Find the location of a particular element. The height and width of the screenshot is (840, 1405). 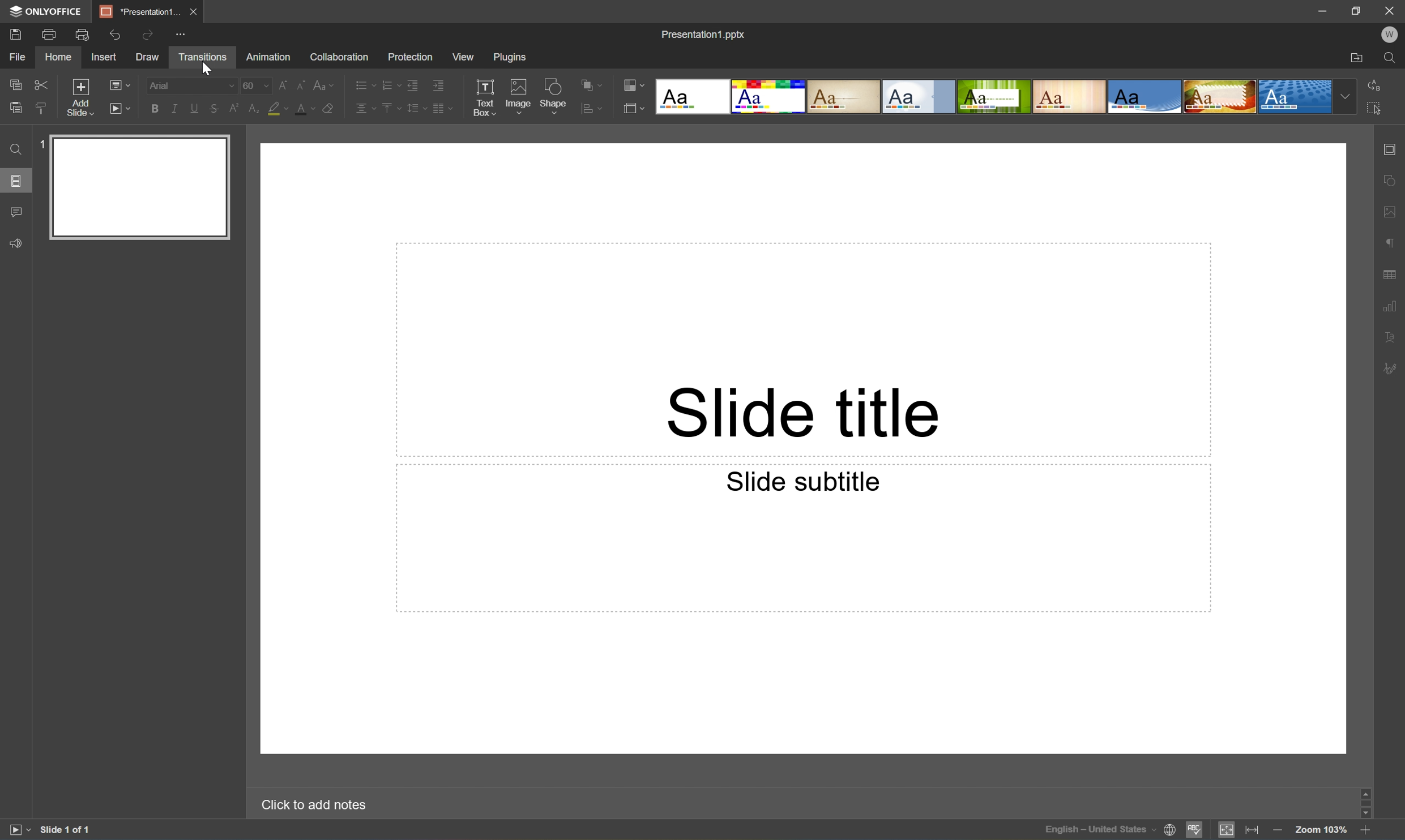

Add slide is located at coordinates (80, 96).